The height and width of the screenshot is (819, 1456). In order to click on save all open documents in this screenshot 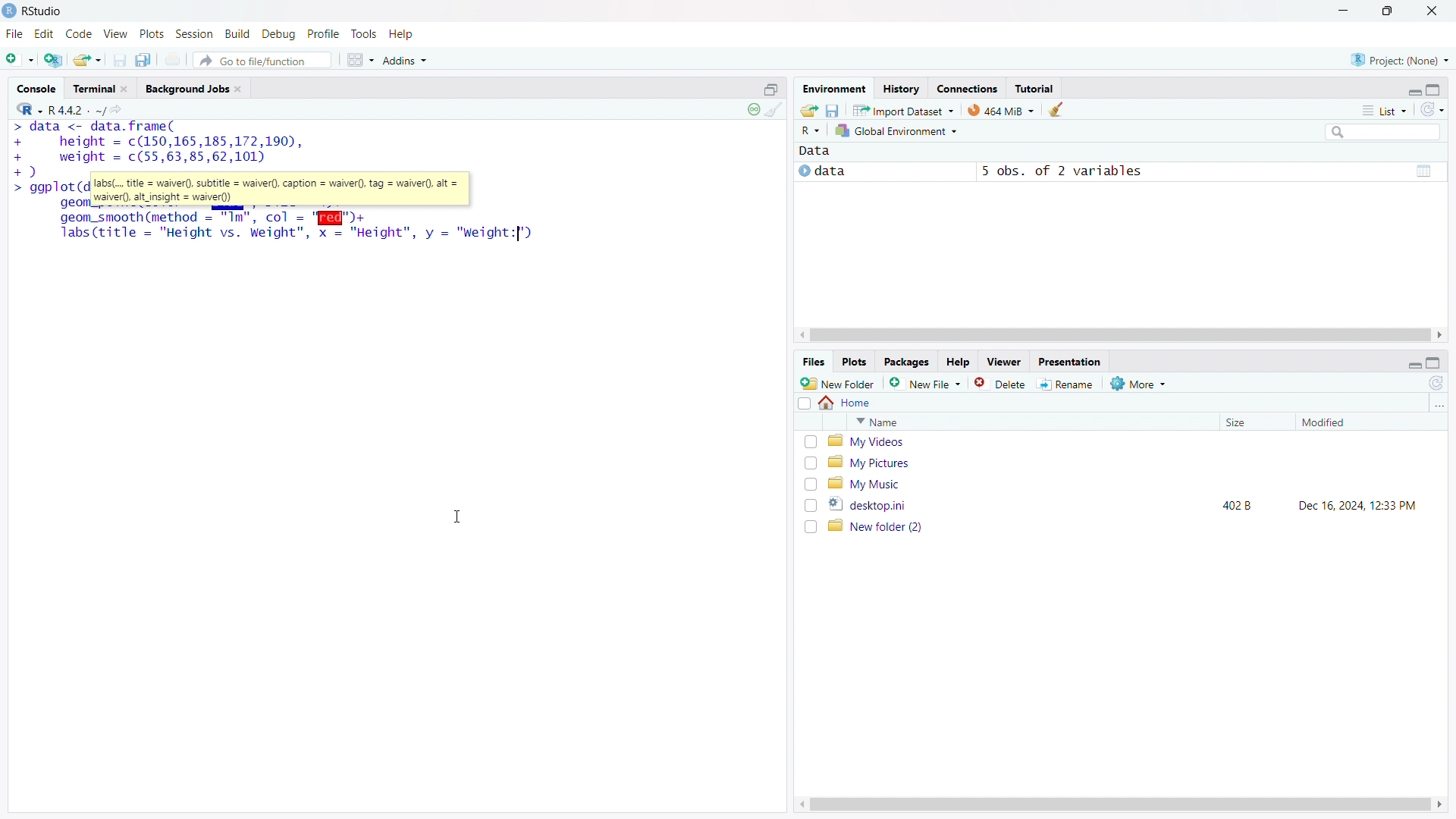, I will do `click(146, 59)`.